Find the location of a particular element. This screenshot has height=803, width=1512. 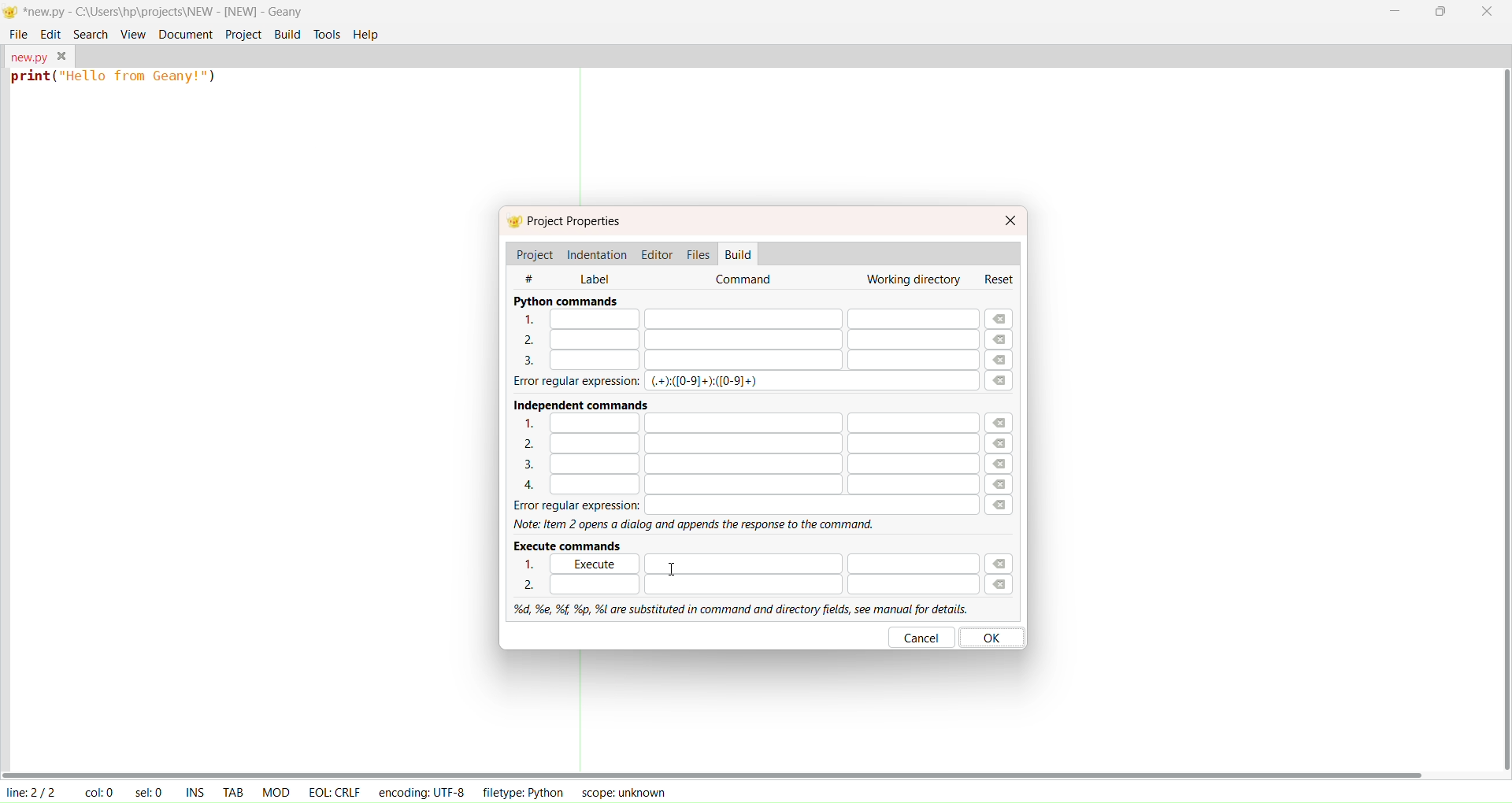

close dialog is located at coordinates (1011, 220).